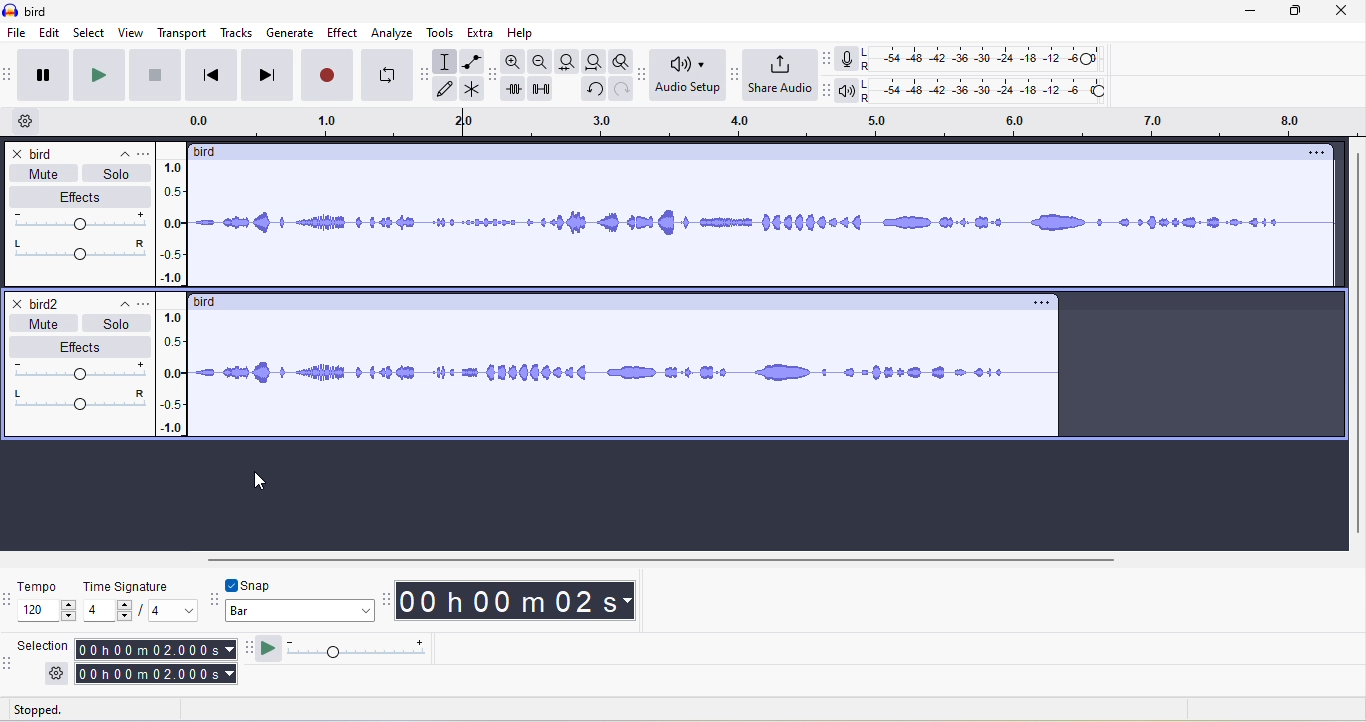  I want to click on skip to end, so click(269, 76).